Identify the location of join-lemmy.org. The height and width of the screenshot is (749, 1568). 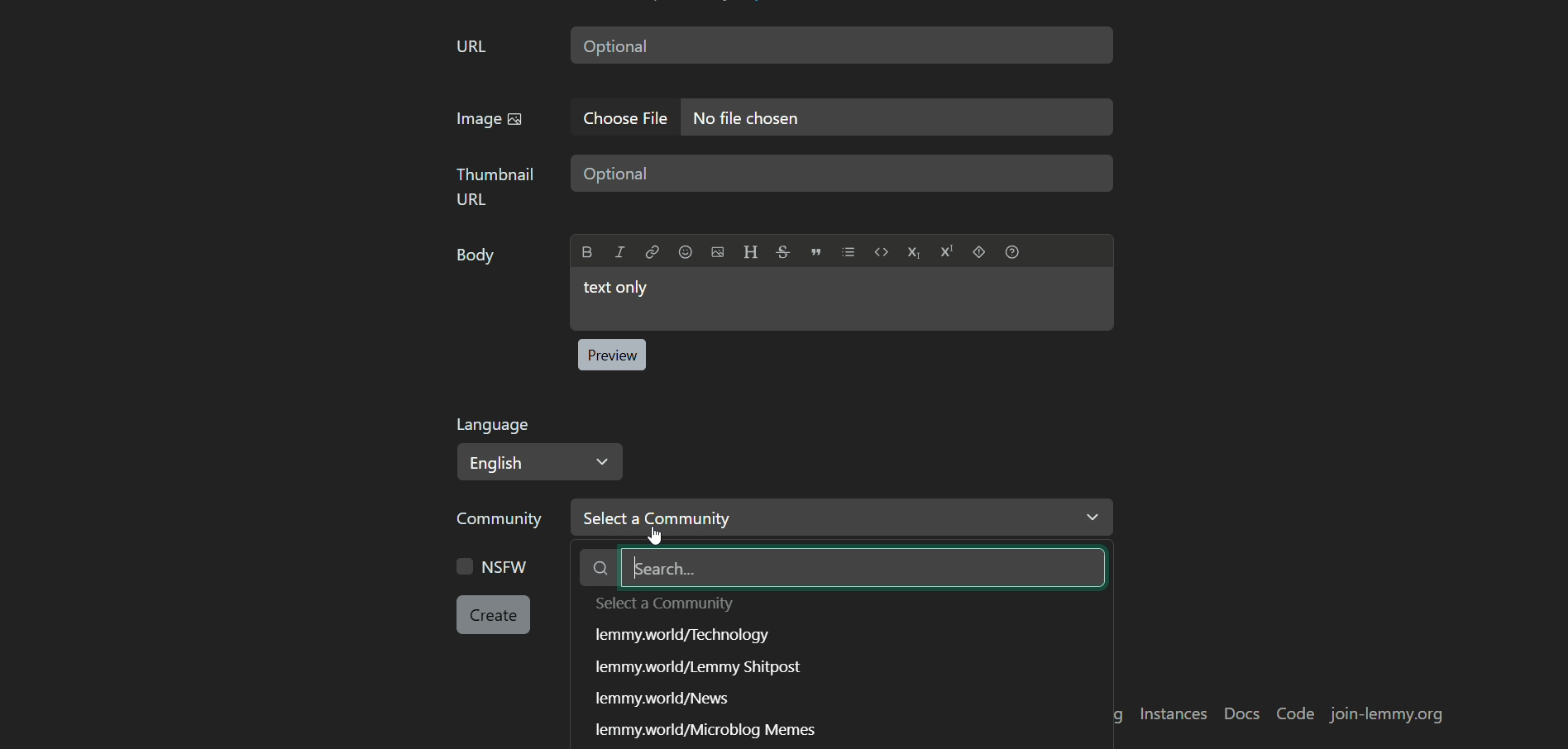
(1386, 714).